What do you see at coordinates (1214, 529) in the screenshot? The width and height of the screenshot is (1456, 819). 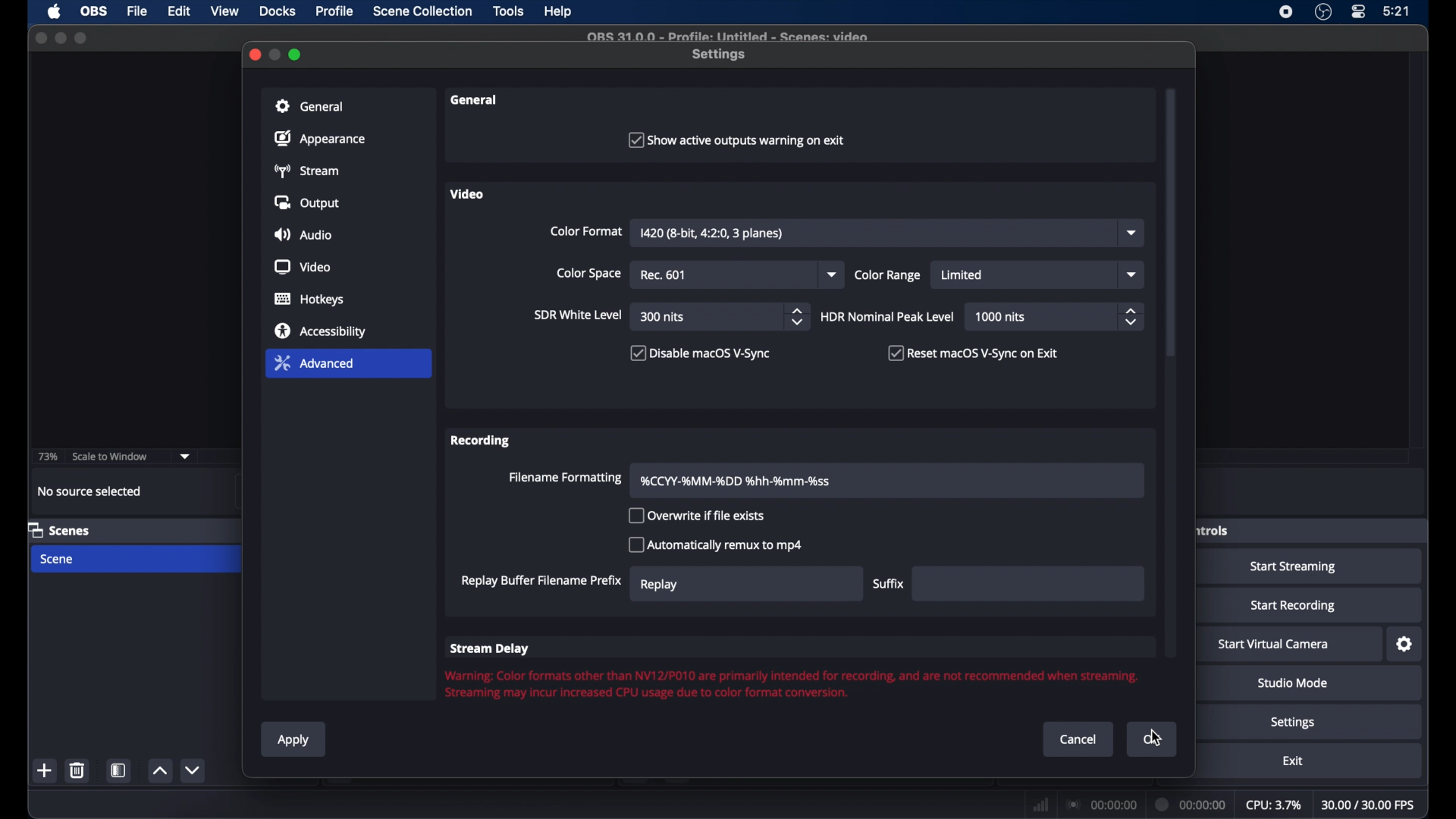 I see `obscure label` at bounding box center [1214, 529].